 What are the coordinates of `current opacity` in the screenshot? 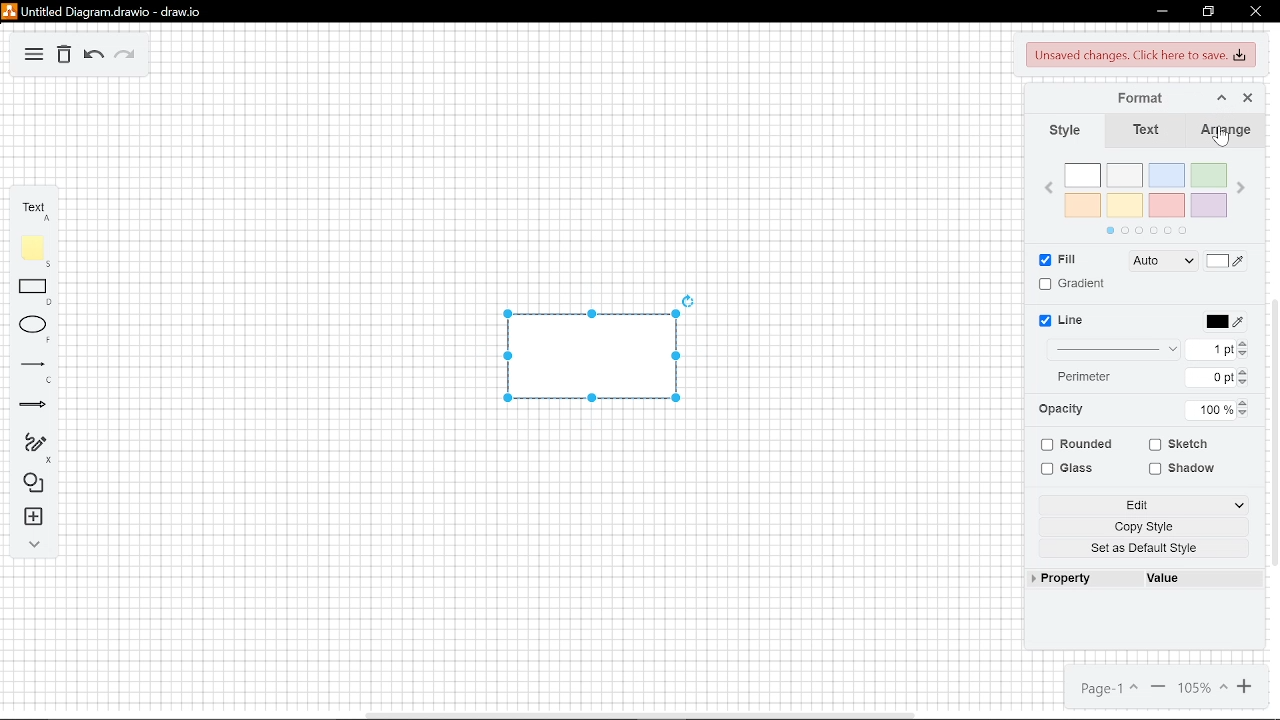 It's located at (1208, 410).